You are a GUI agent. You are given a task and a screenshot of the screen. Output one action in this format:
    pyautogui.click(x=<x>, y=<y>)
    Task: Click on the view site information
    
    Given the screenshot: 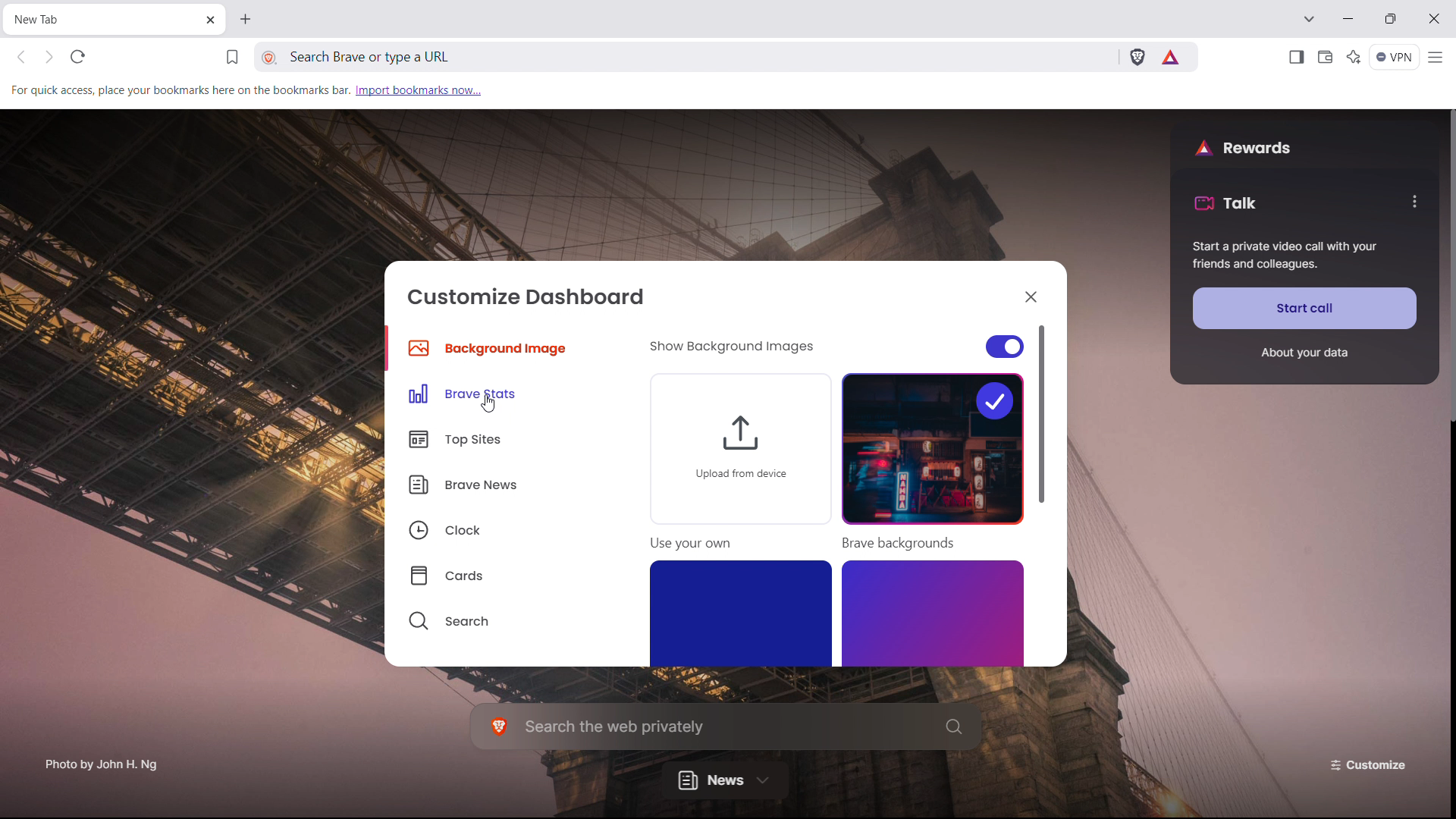 What is the action you would take?
    pyautogui.click(x=270, y=58)
    